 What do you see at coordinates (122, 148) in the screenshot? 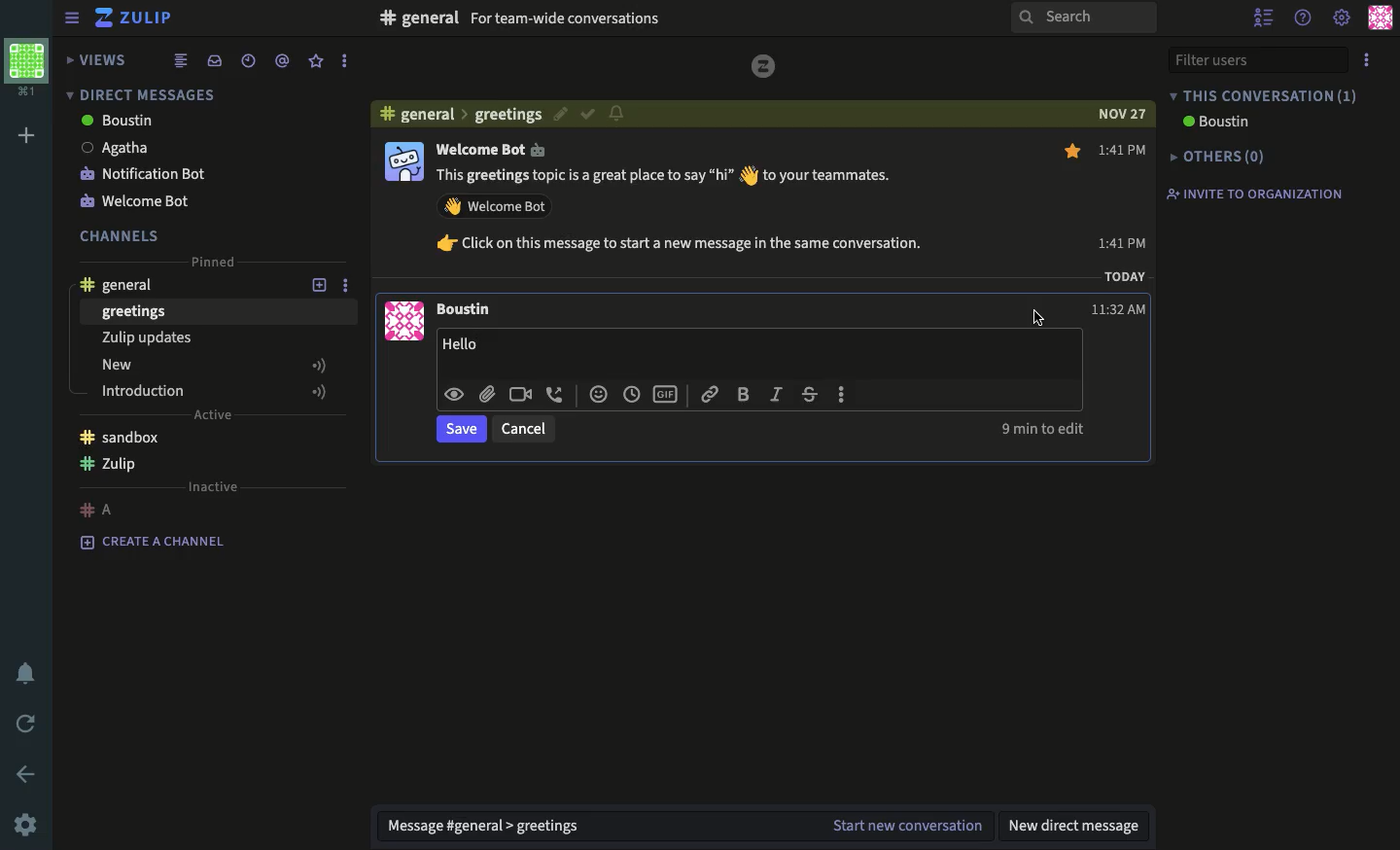
I see `Agatha` at bounding box center [122, 148].